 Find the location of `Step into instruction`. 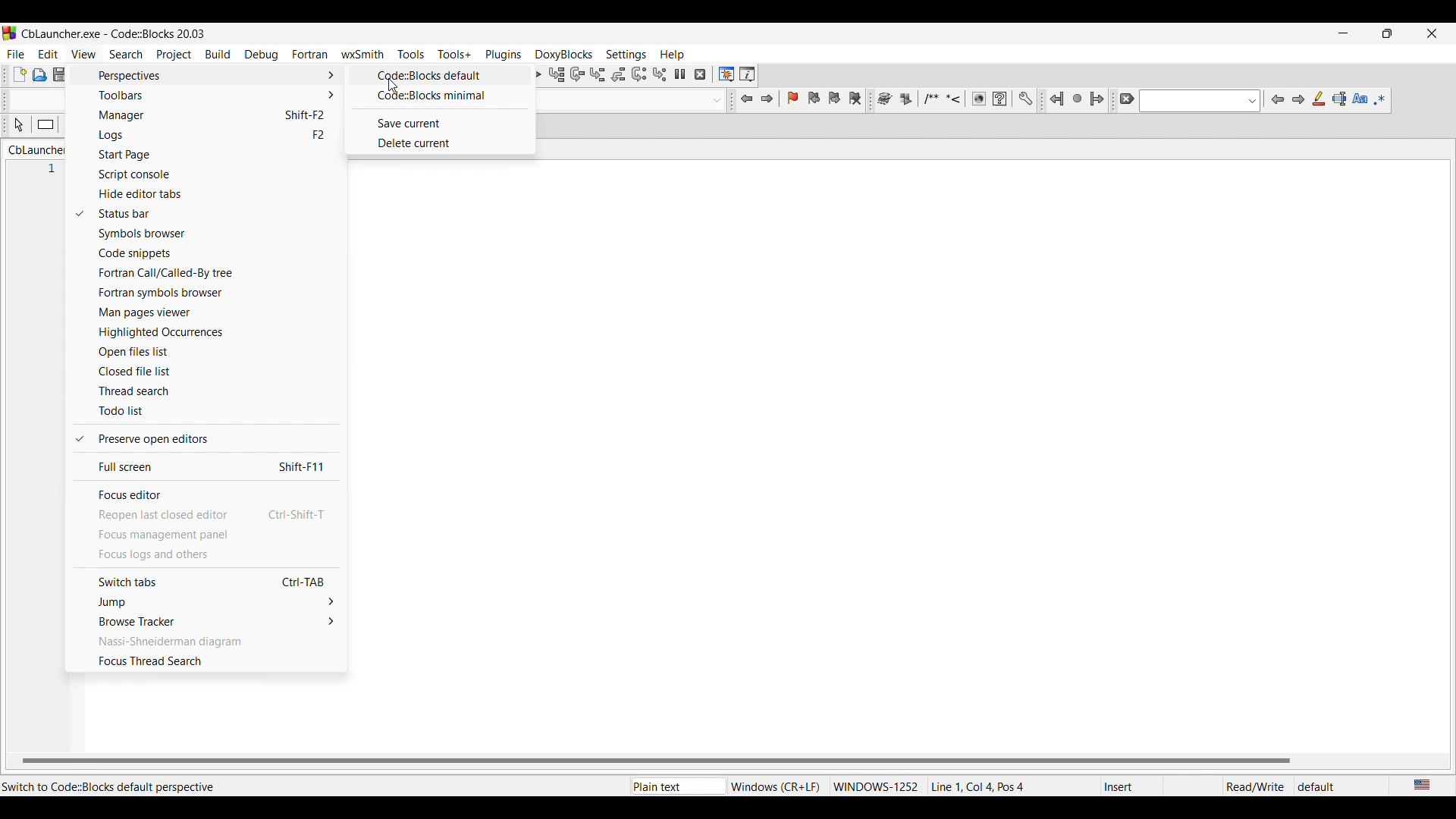

Step into instruction is located at coordinates (660, 74).